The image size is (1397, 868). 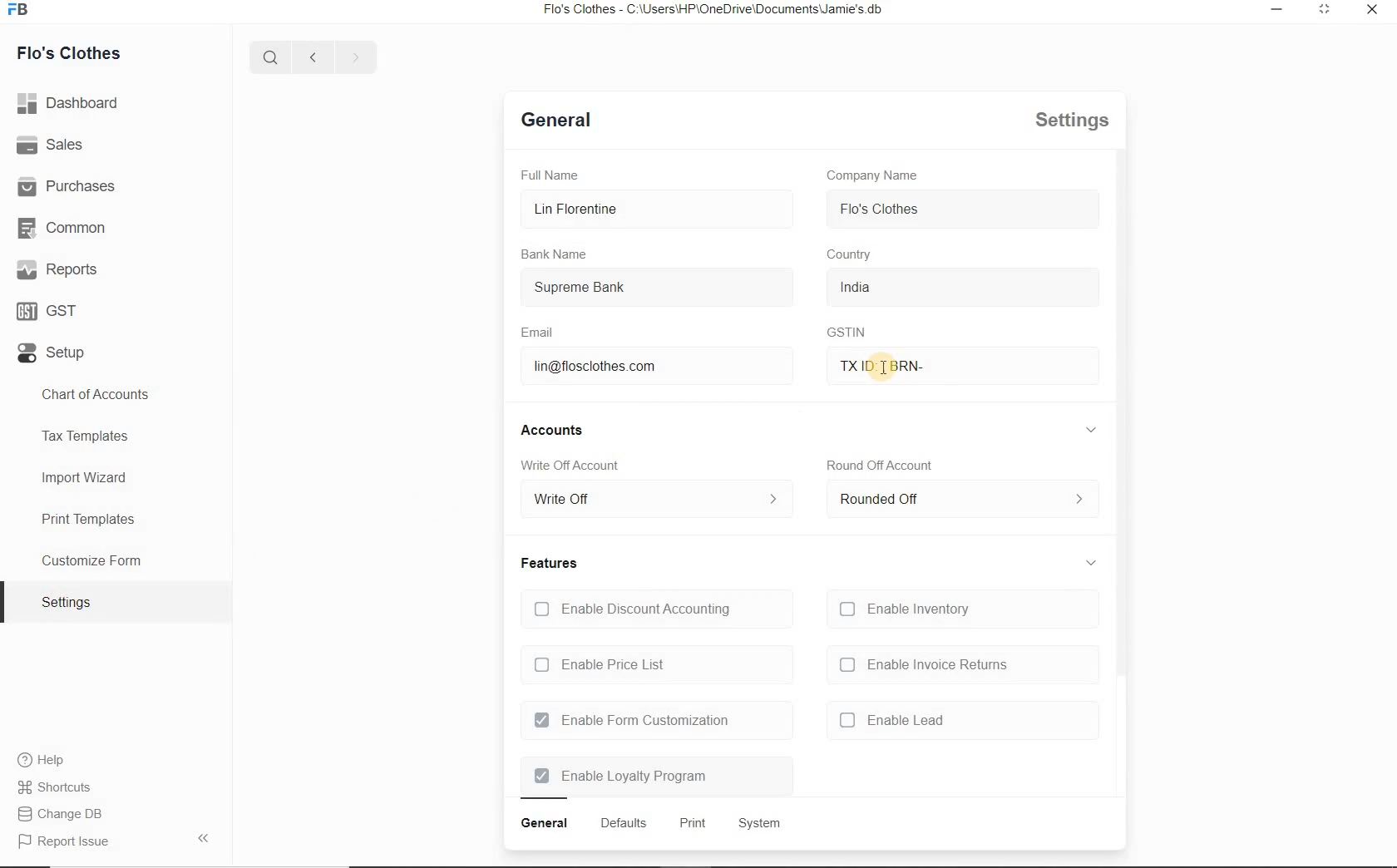 What do you see at coordinates (603, 666) in the screenshot?
I see `Enable Price List` at bounding box center [603, 666].